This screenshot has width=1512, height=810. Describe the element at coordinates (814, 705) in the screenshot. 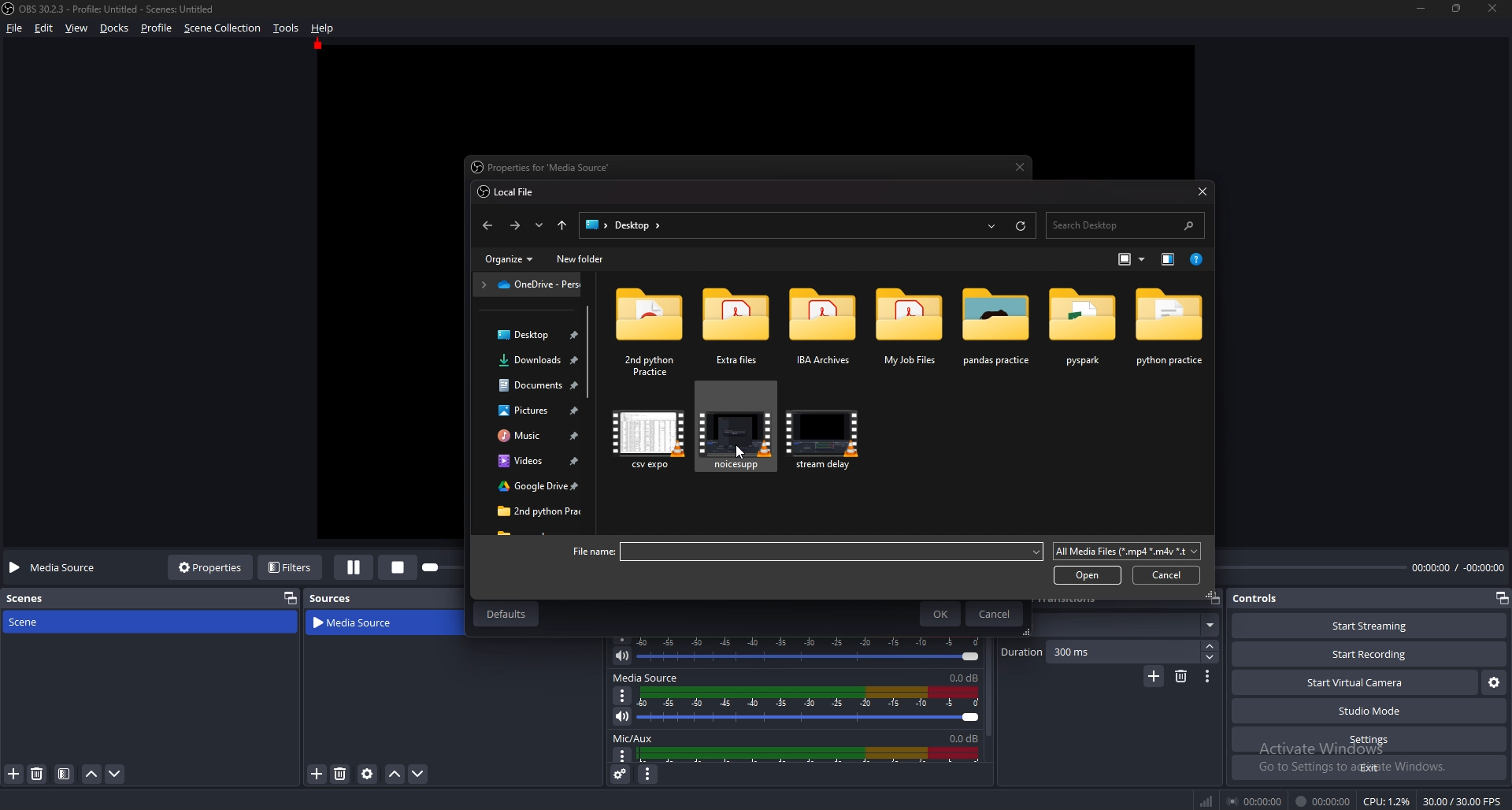

I see `media source soundbar` at that location.